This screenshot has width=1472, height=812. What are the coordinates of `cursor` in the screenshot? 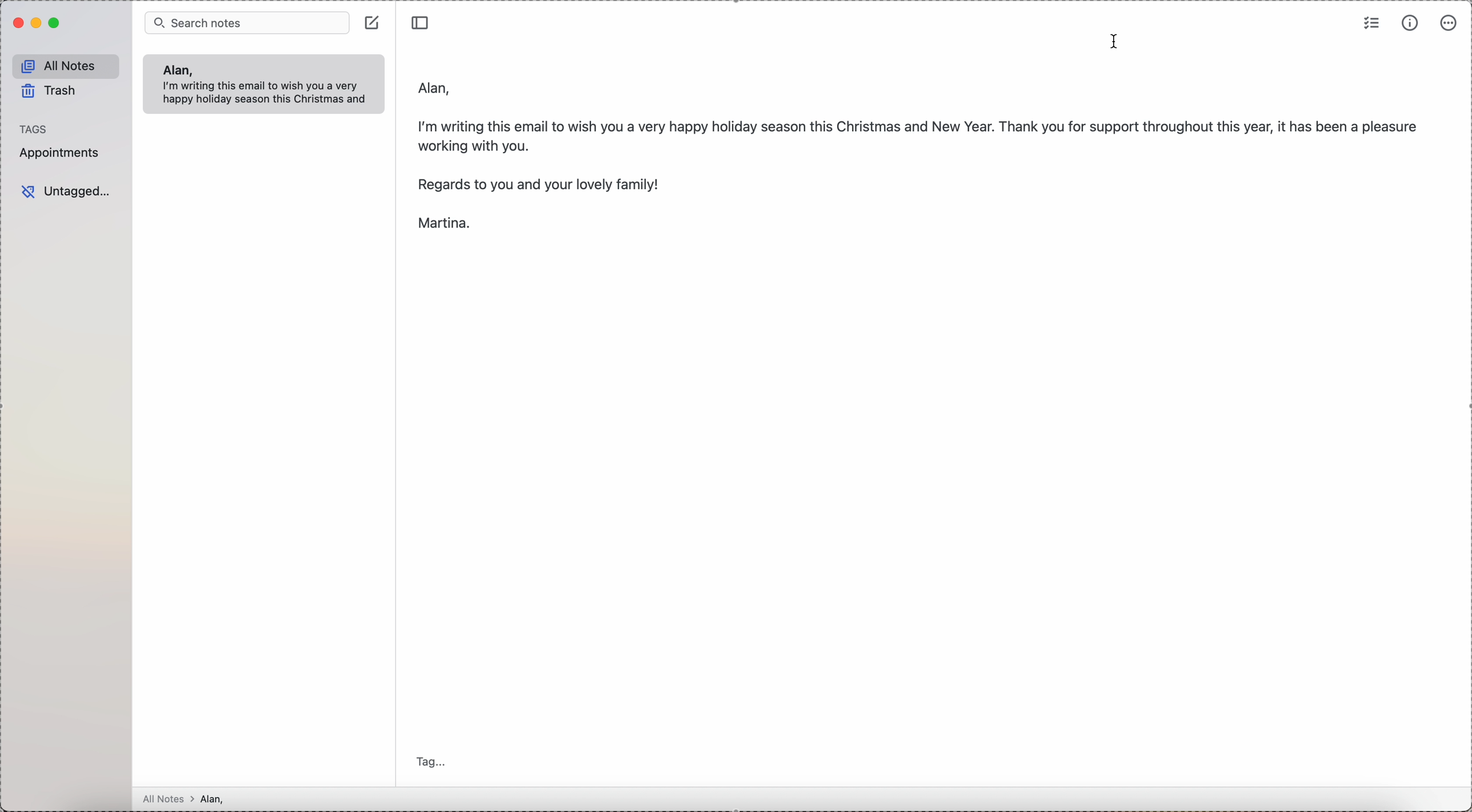 It's located at (1116, 42).